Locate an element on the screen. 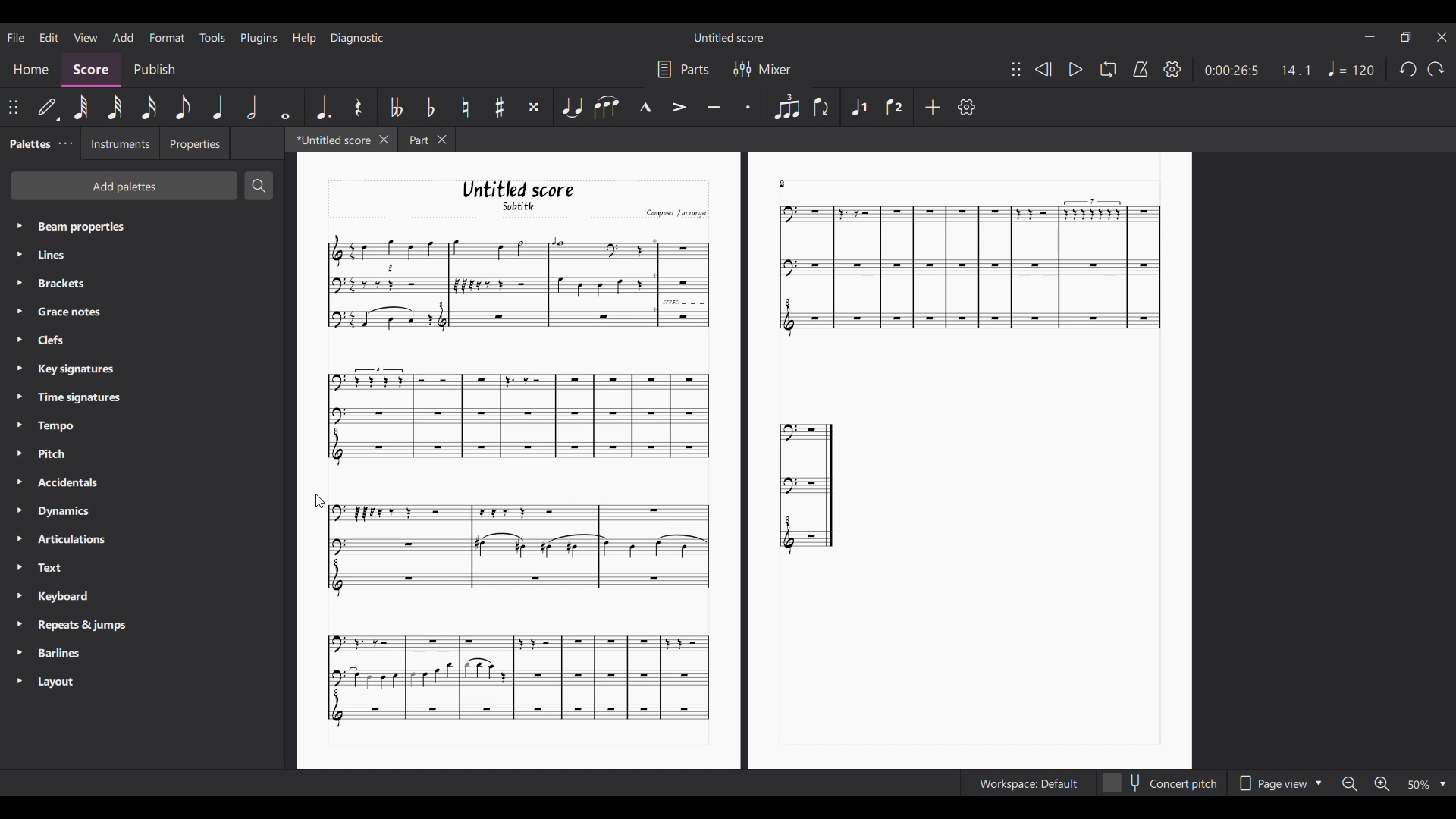 This screenshot has width=1456, height=819. > Layout is located at coordinates (65, 682).